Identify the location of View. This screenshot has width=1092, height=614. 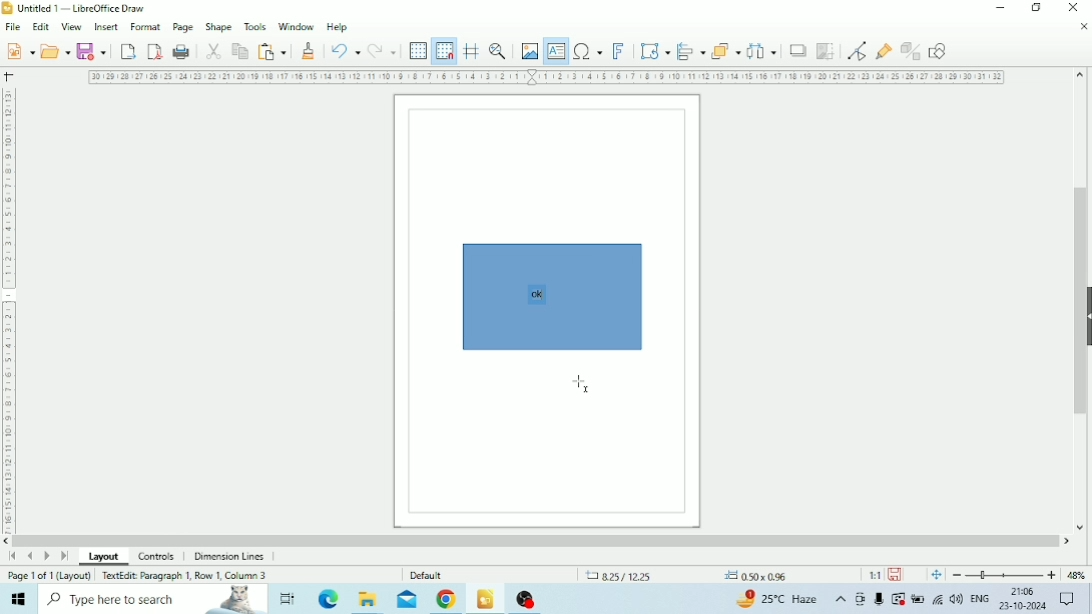
(72, 27).